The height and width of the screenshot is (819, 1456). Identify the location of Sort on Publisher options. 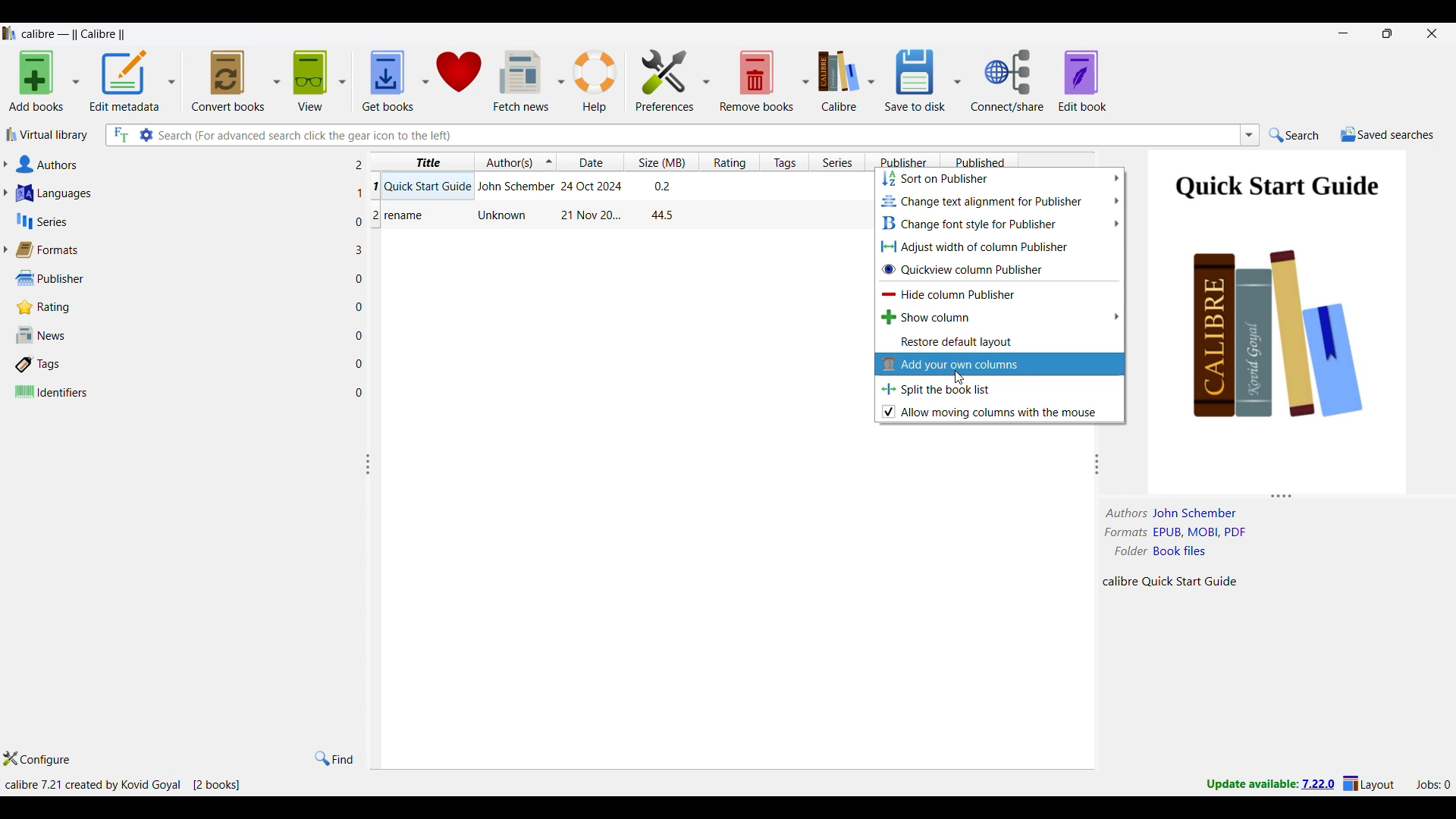
(1000, 178).